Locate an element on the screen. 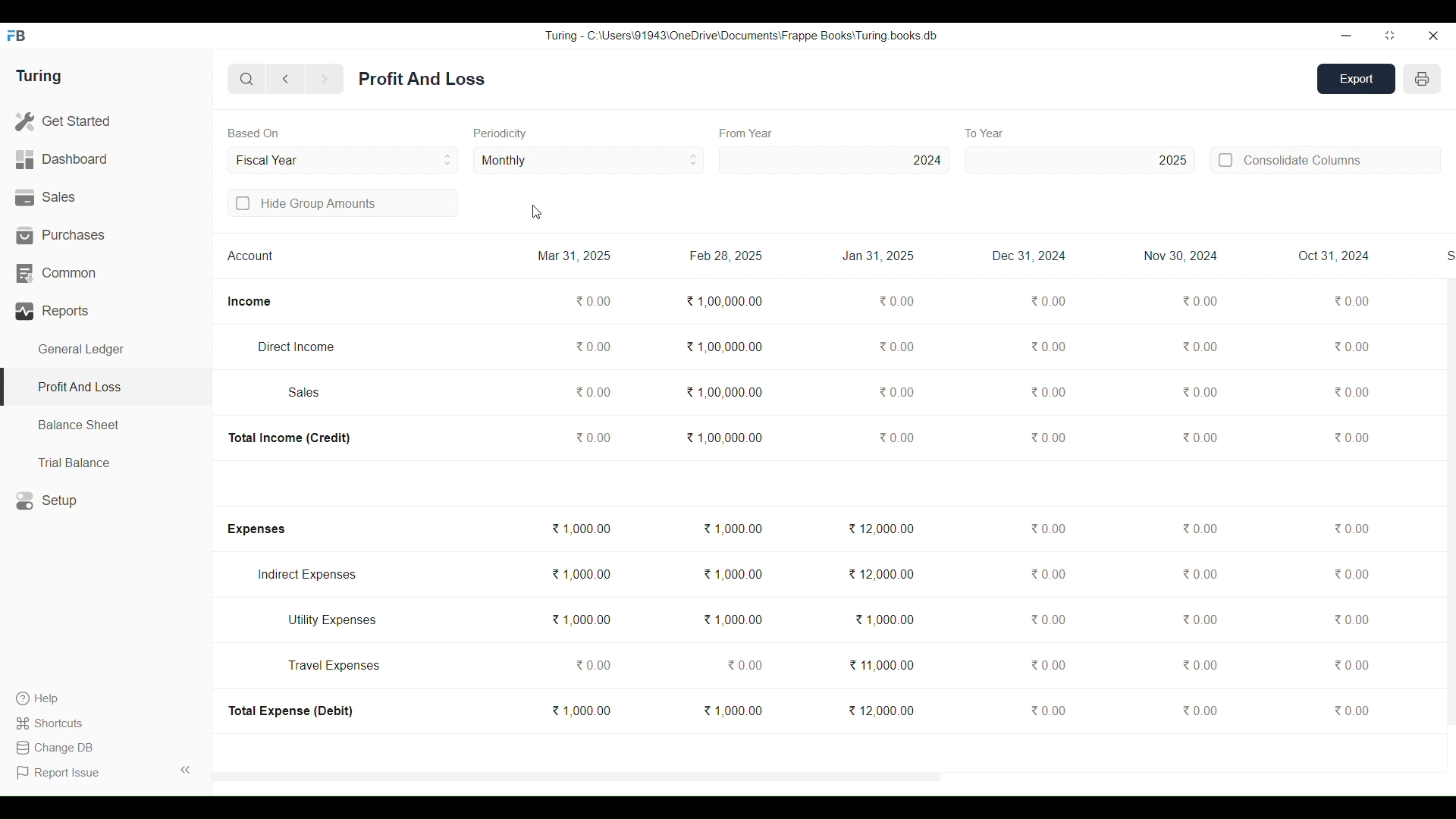 The width and height of the screenshot is (1456, 819). Consolidate Columns is located at coordinates (1325, 159).